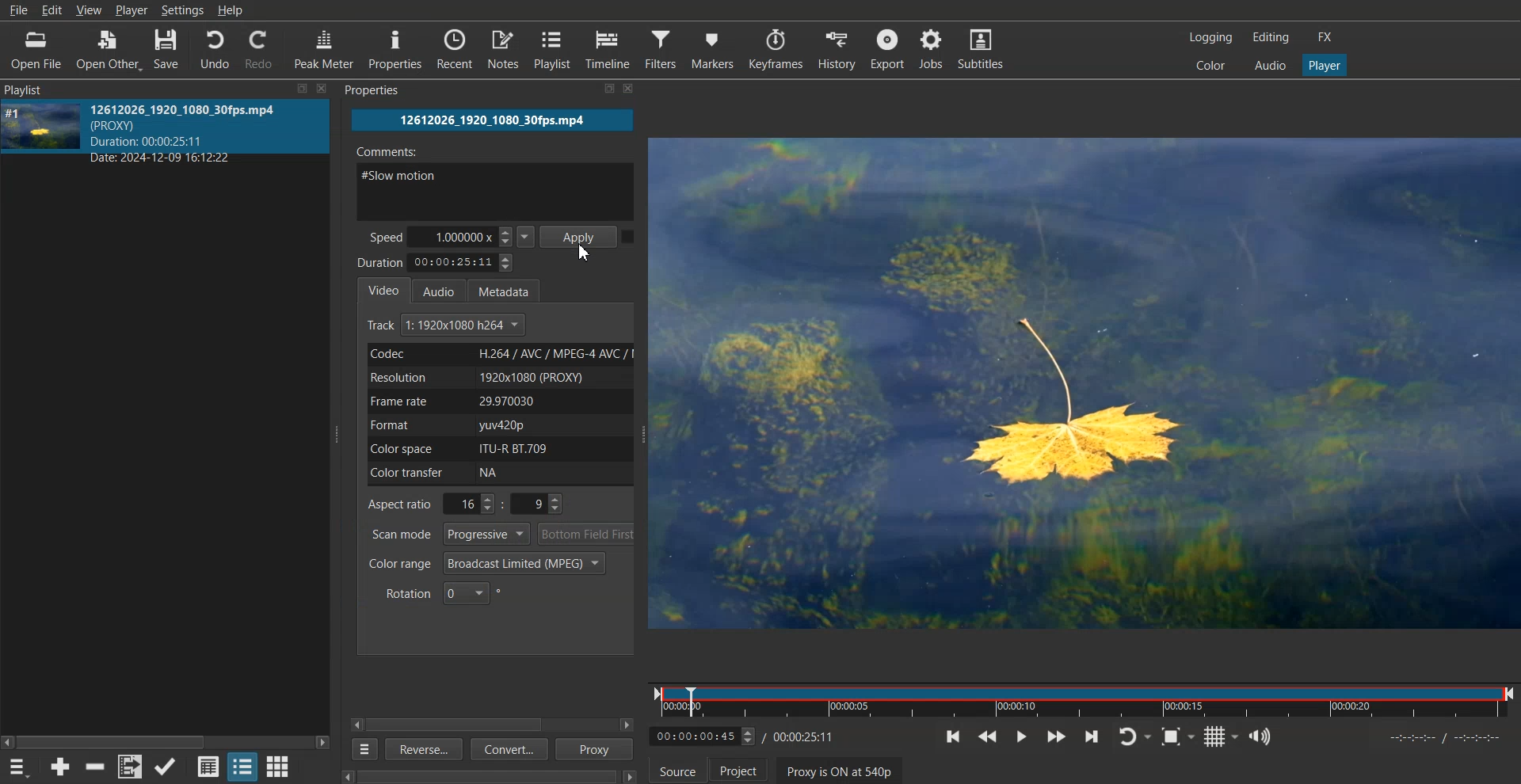  I want to click on scrollbar, so click(478, 773).